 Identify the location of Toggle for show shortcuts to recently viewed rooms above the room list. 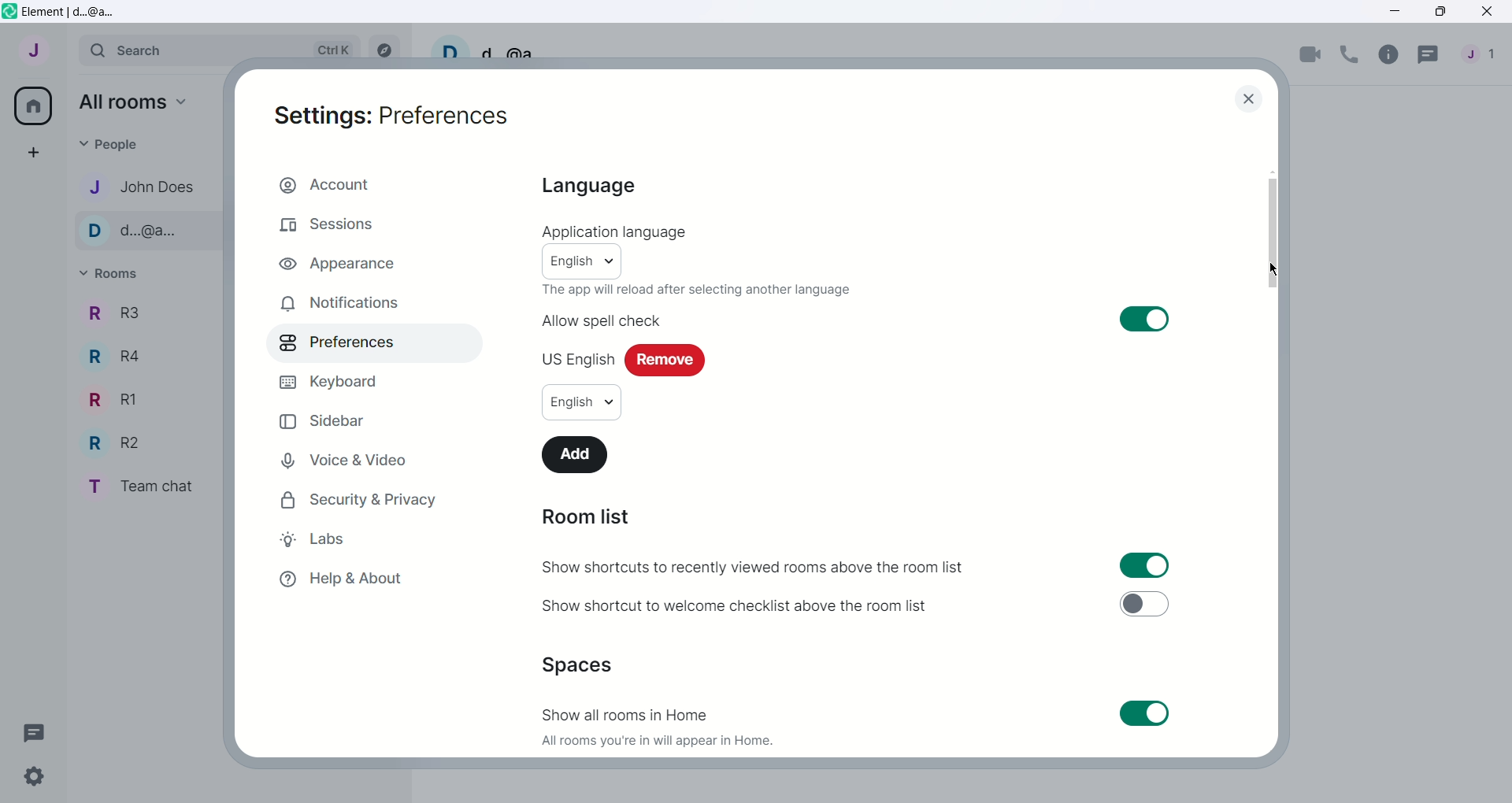
(1145, 565).